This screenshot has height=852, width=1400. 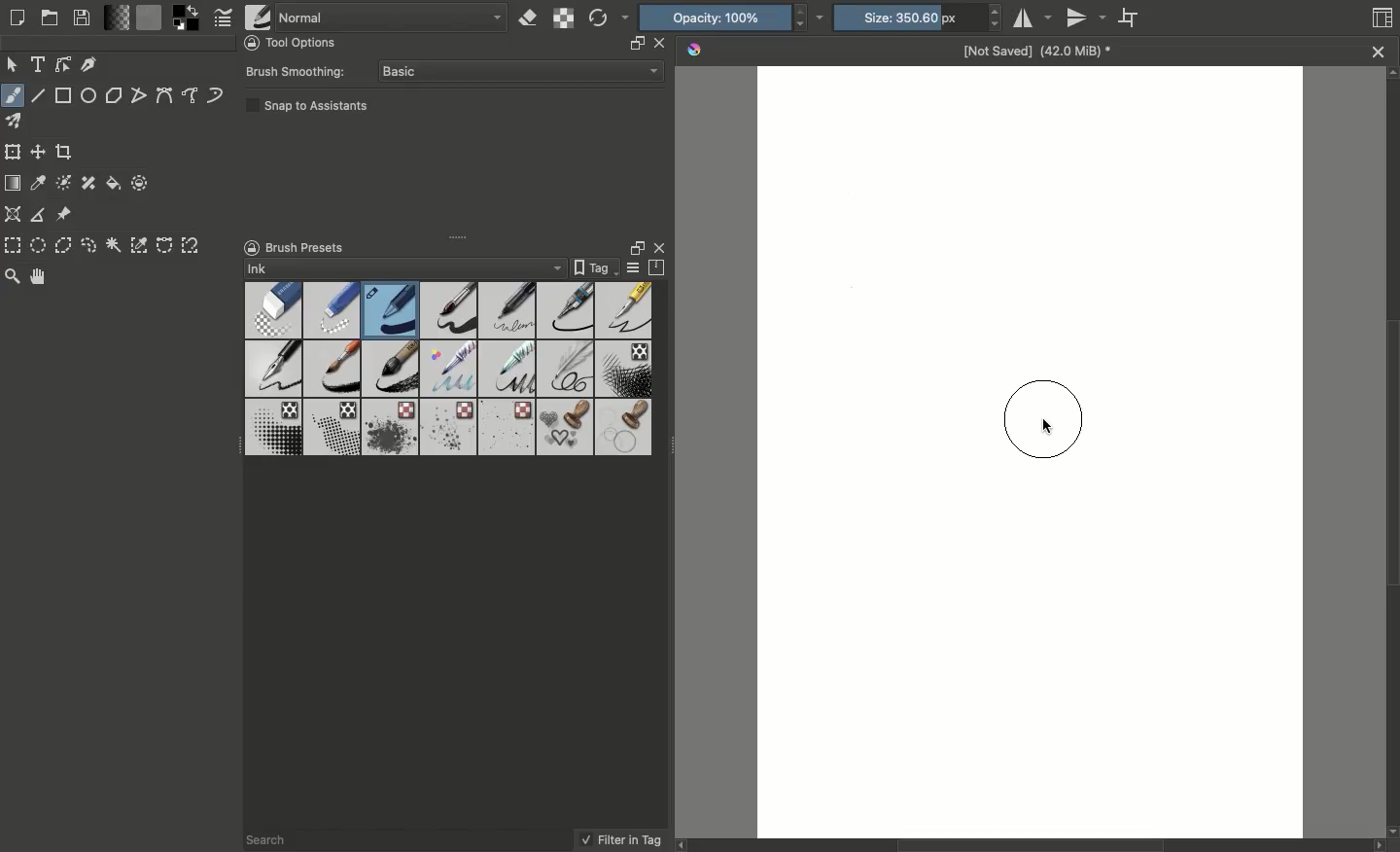 What do you see at coordinates (14, 183) in the screenshot?
I see `Draw a gradient` at bounding box center [14, 183].